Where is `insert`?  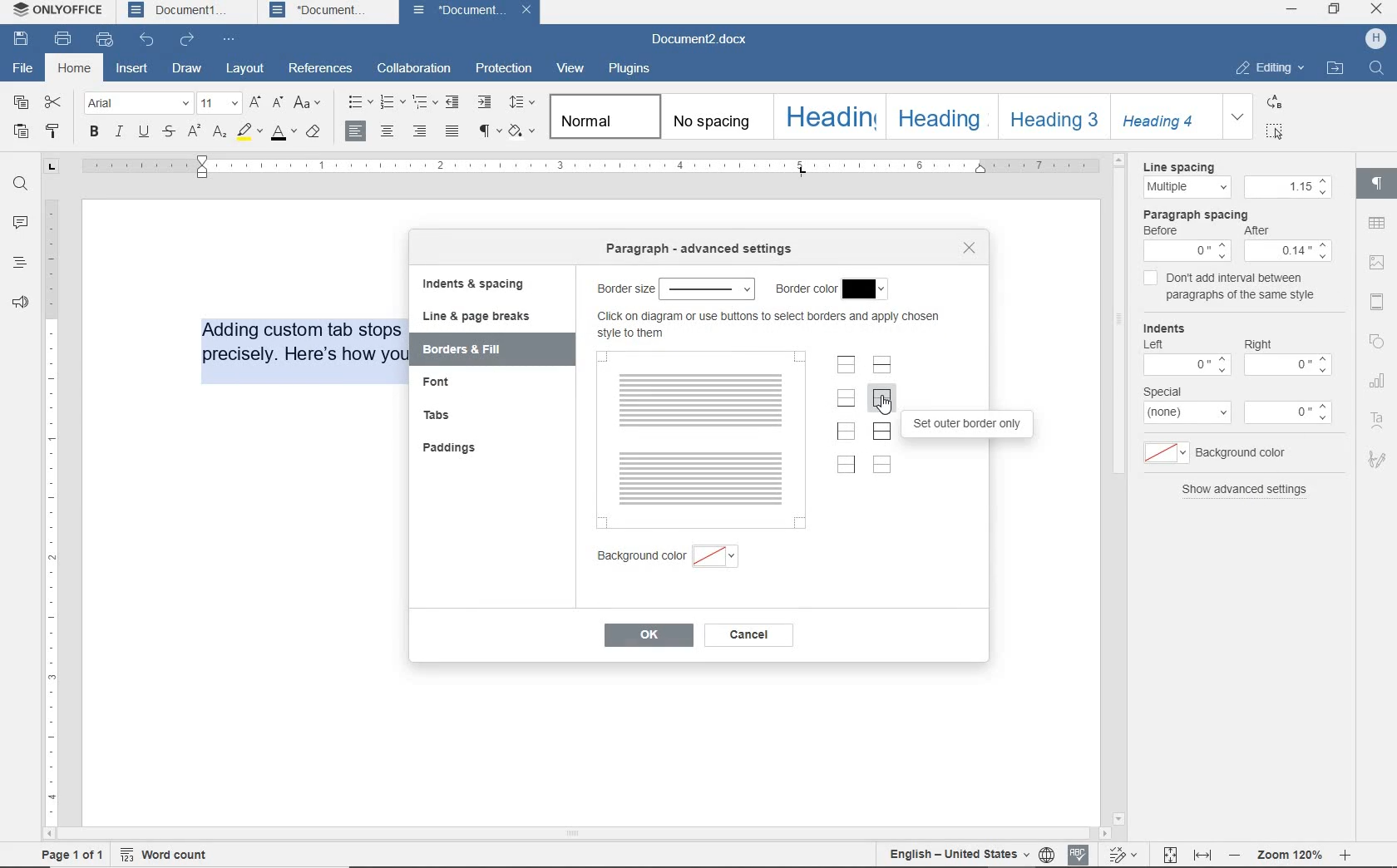 insert is located at coordinates (131, 70).